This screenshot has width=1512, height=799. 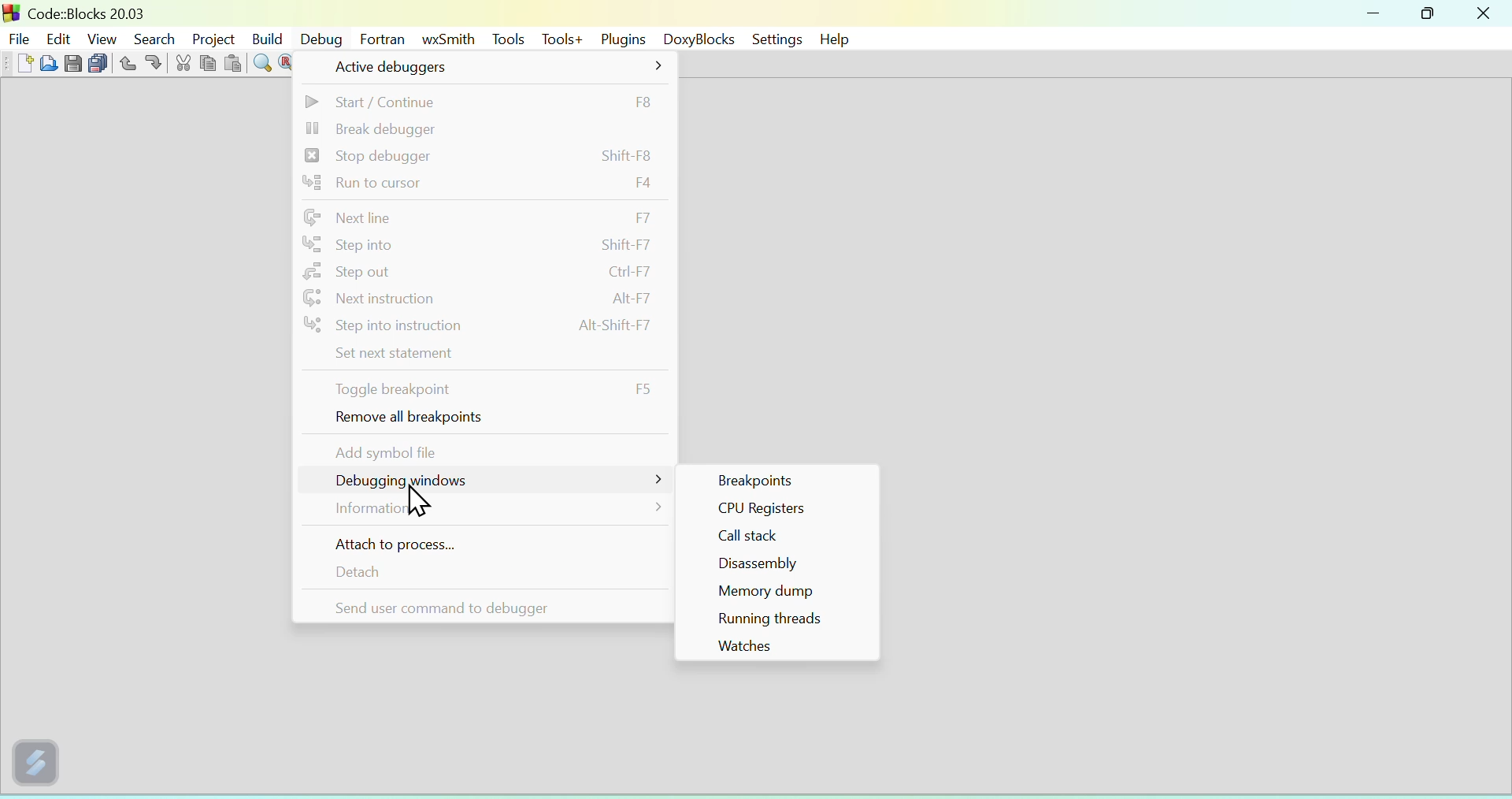 I want to click on cursor, so click(x=414, y=500).